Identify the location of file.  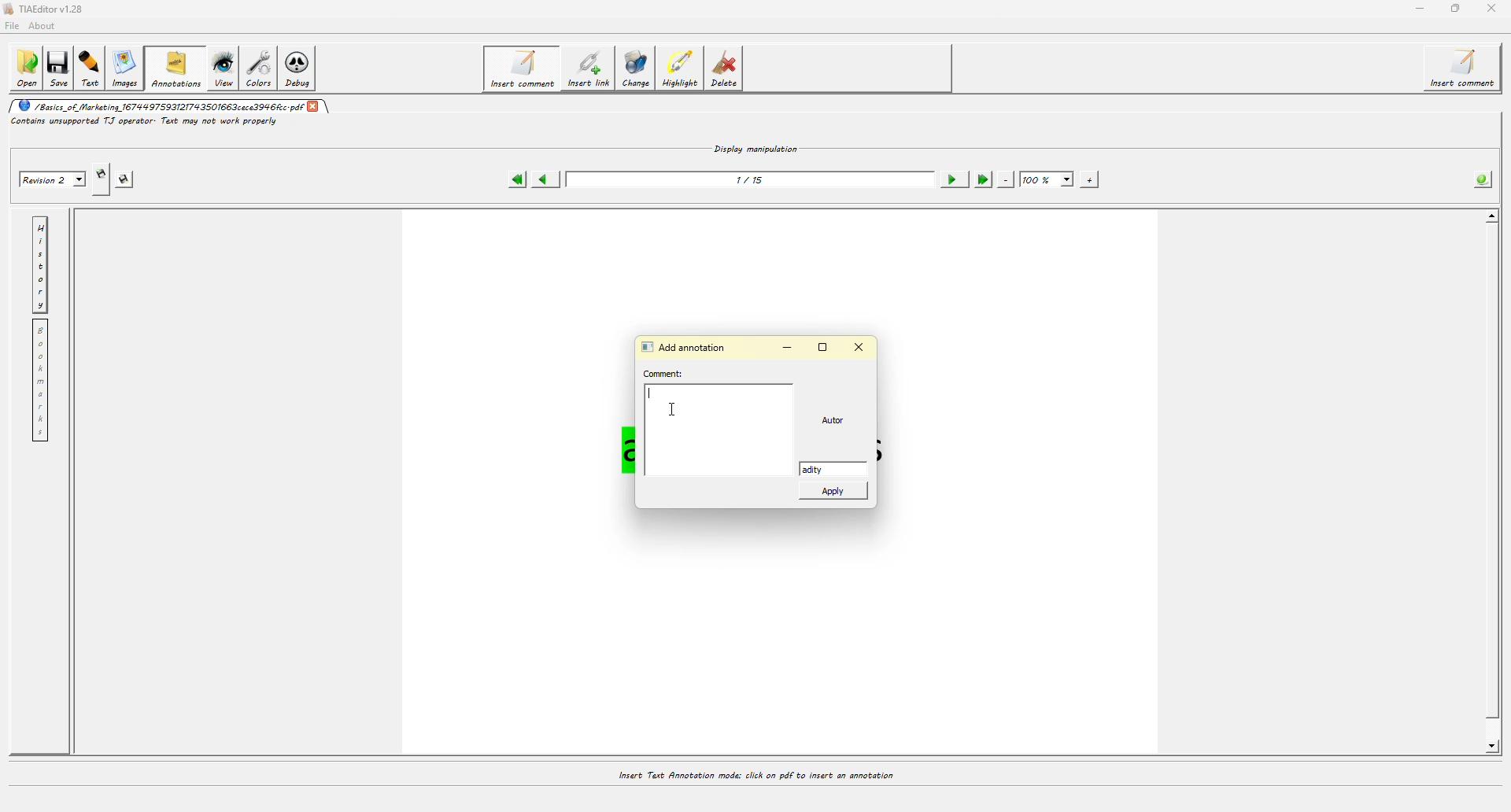
(14, 24).